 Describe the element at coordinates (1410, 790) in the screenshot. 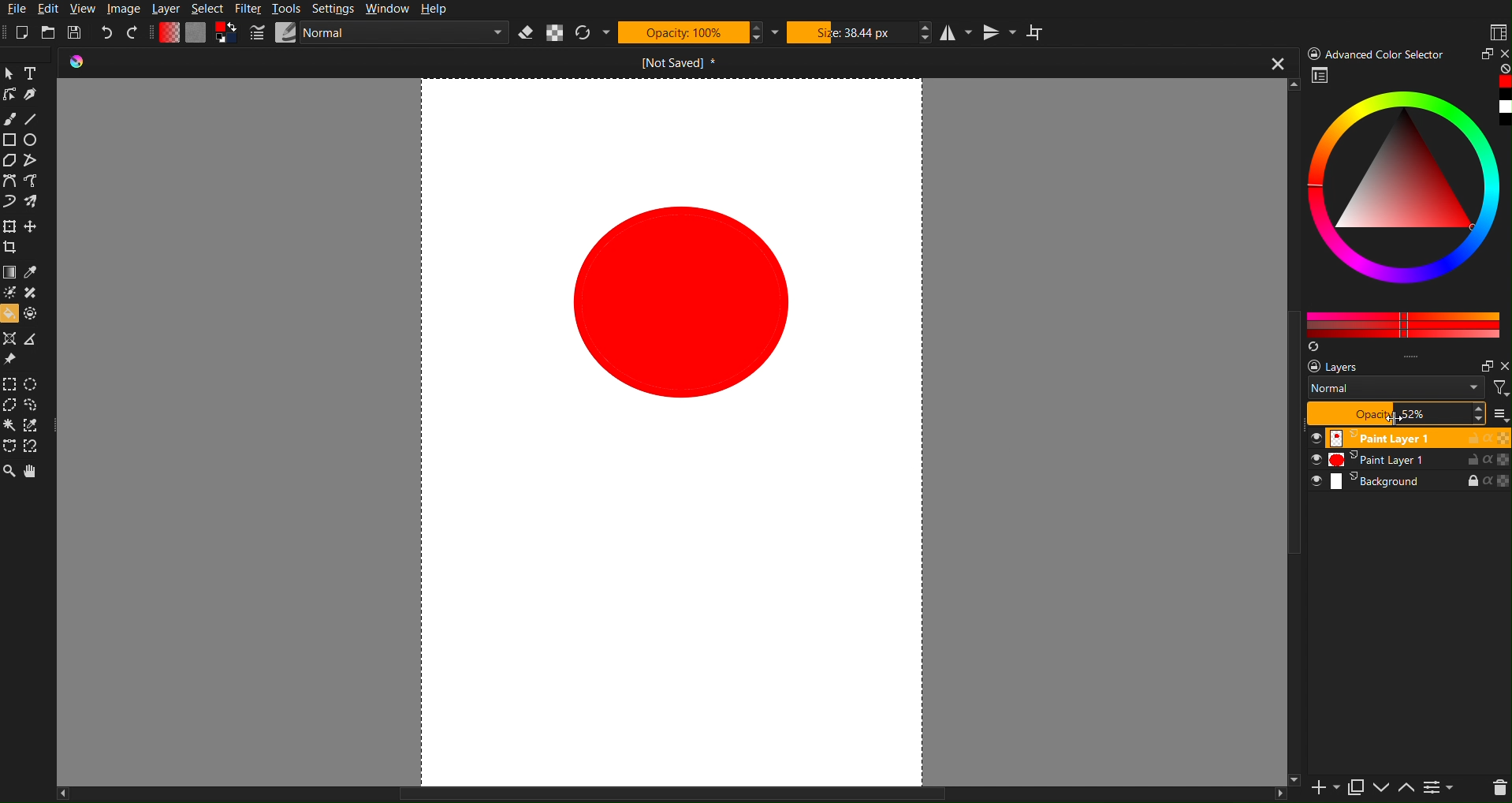

I see `Move Down` at that location.